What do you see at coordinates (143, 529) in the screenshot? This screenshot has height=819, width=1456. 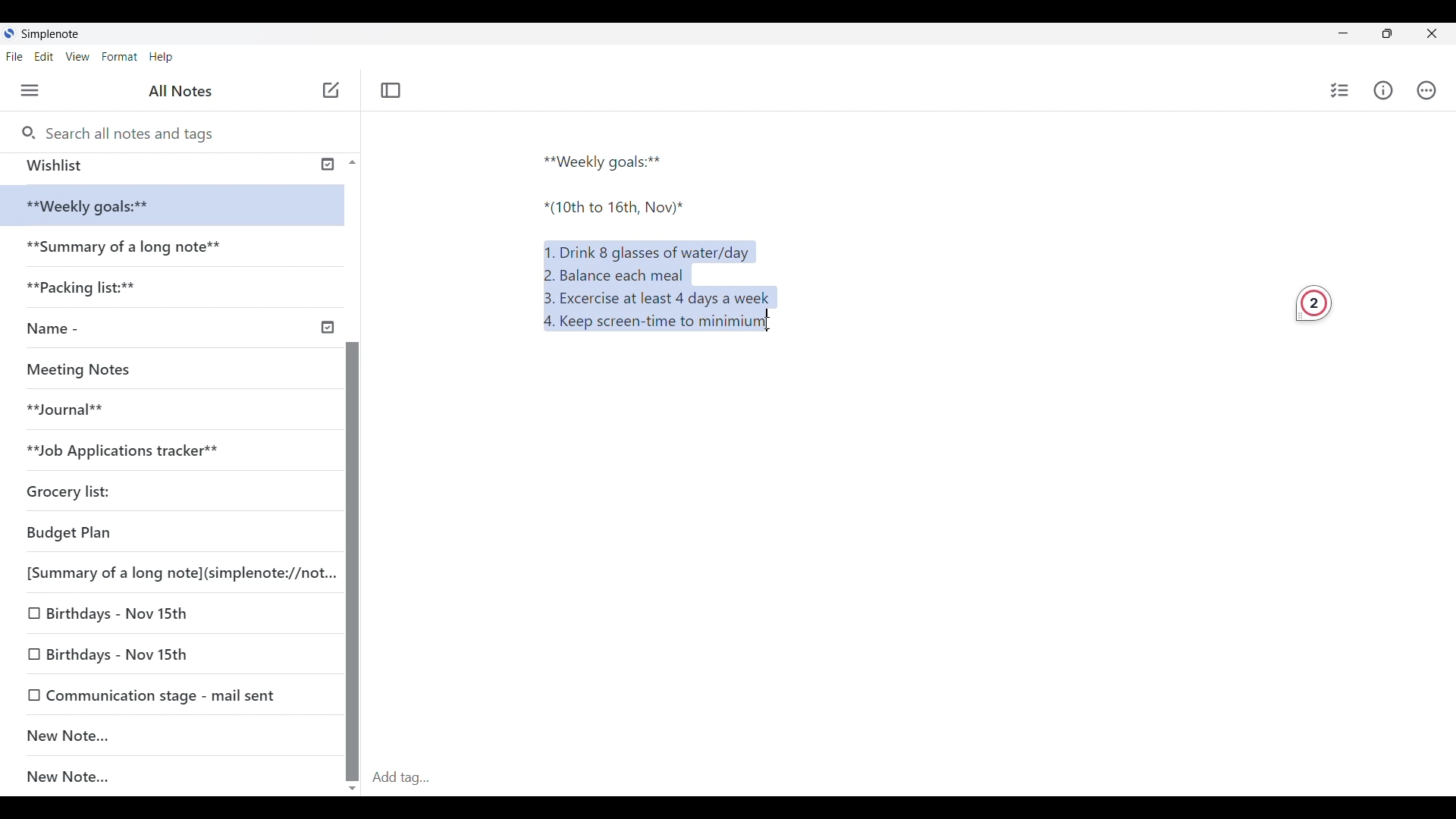 I see `Budget Plan` at bounding box center [143, 529].